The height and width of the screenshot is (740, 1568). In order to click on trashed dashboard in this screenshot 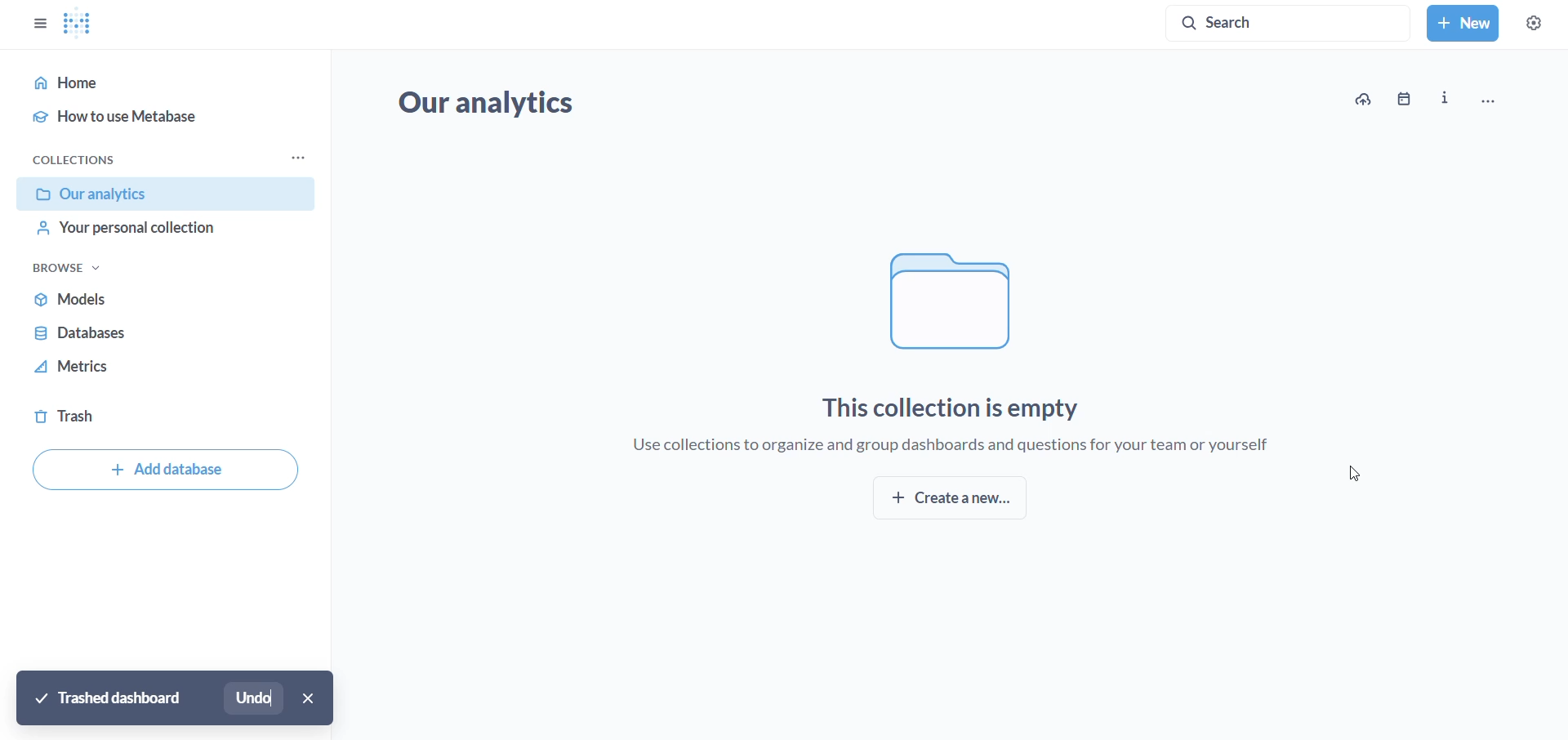, I will do `click(111, 698)`.